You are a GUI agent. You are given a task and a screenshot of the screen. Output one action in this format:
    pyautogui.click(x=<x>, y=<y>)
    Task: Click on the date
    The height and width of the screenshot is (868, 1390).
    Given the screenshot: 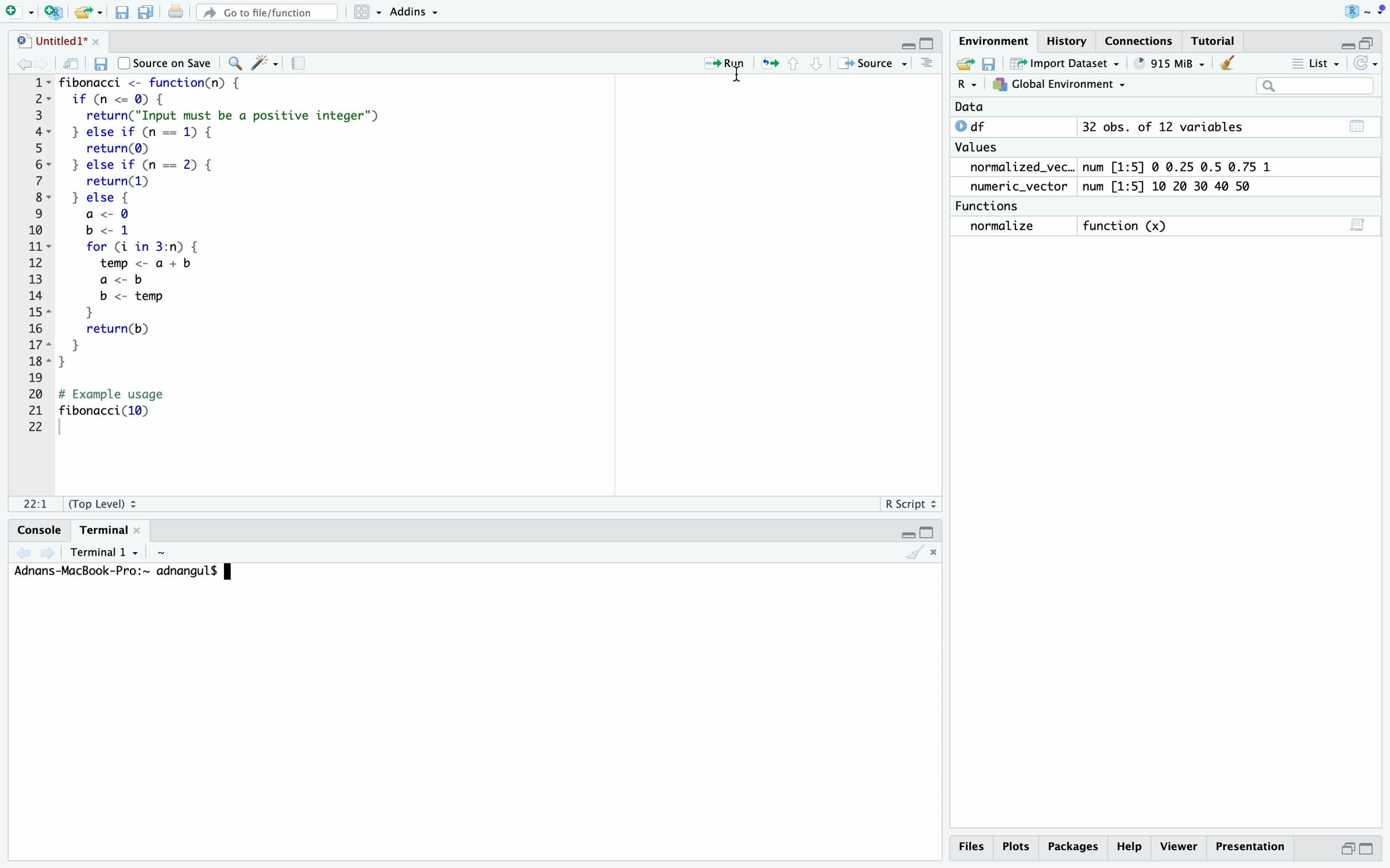 What is the action you would take?
    pyautogui.click(x=978, y=106)
    